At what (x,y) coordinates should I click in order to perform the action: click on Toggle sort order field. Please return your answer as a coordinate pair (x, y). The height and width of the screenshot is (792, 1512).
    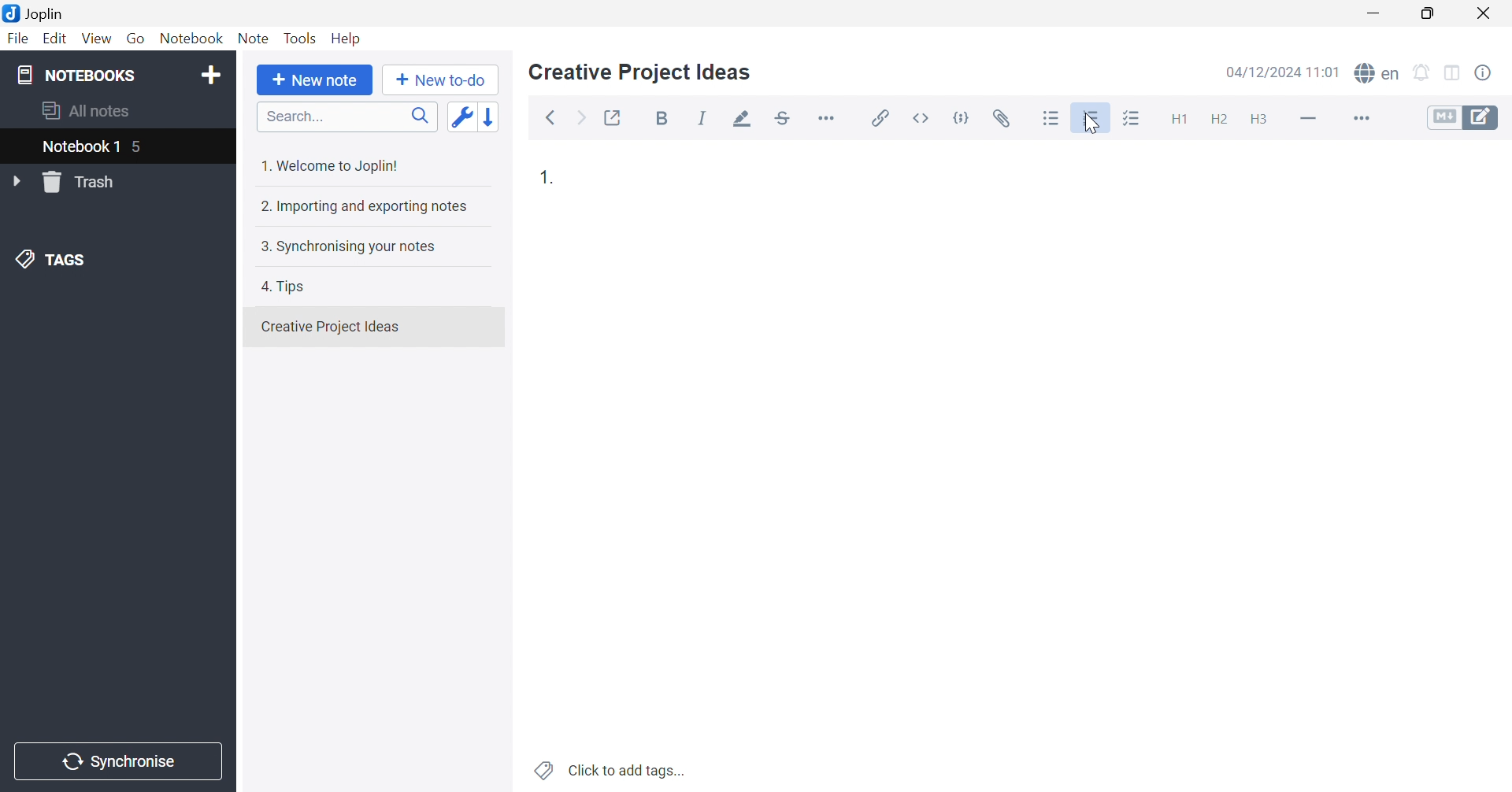
    Looking at the image, I should click on (462, 117).